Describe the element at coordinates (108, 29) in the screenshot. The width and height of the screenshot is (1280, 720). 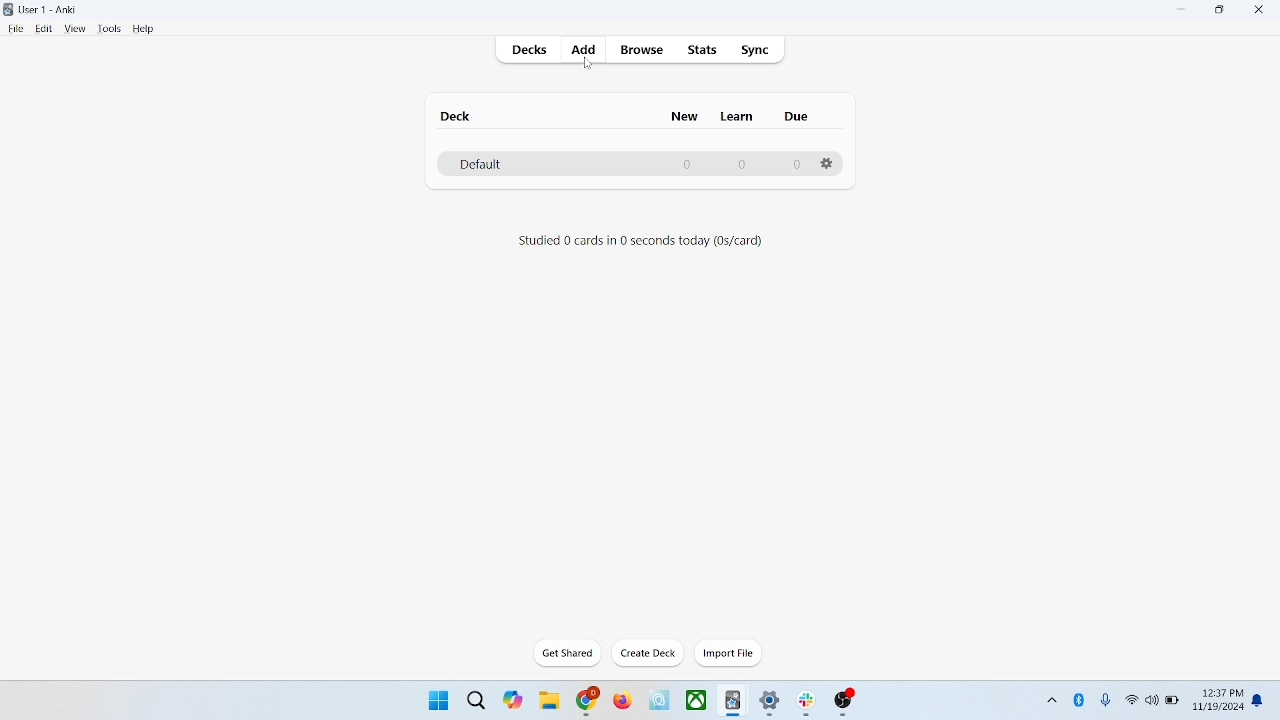
I see `tools` at that location.